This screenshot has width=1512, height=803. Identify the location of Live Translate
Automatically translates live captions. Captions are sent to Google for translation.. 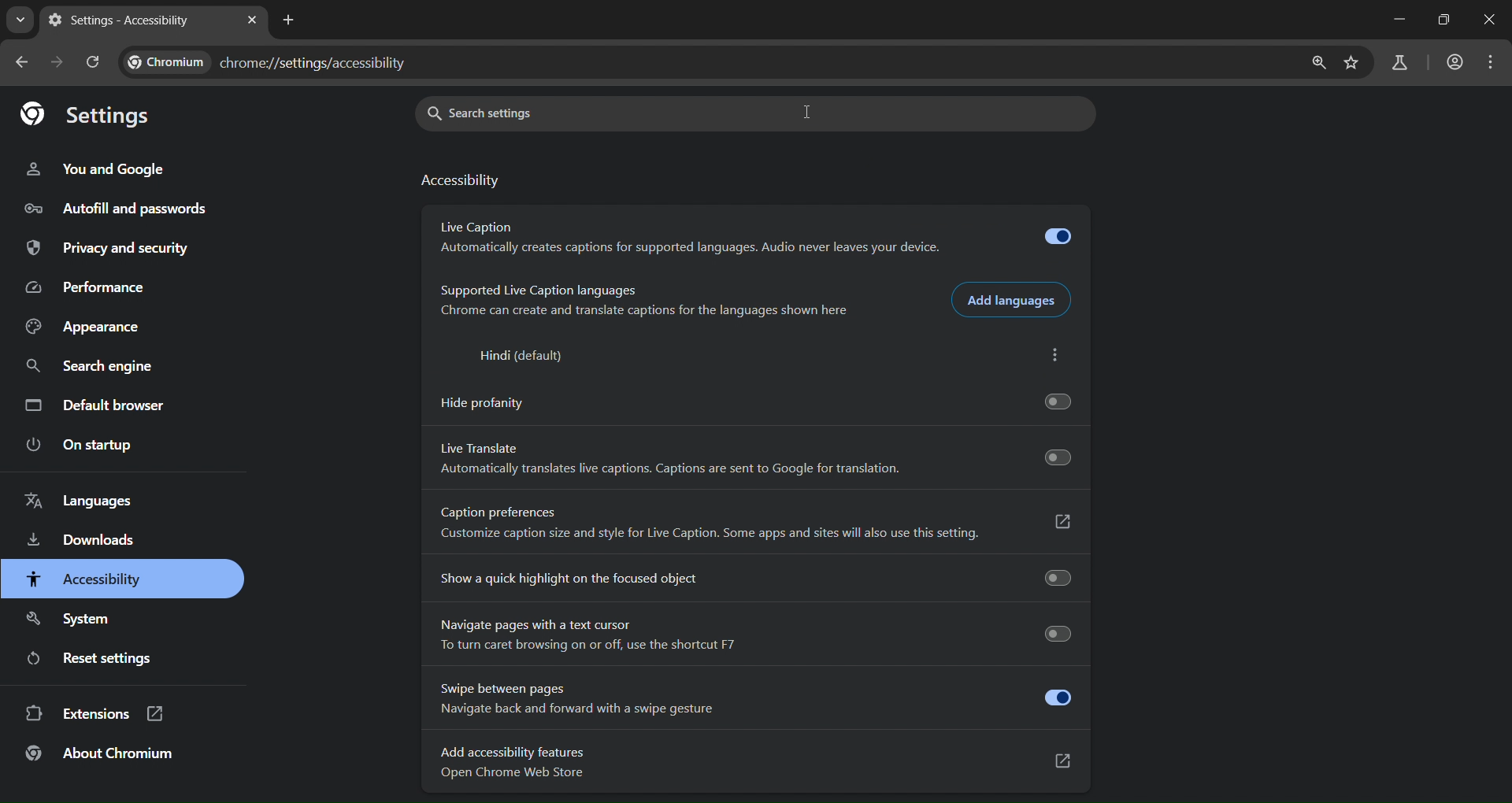
(753, 461).